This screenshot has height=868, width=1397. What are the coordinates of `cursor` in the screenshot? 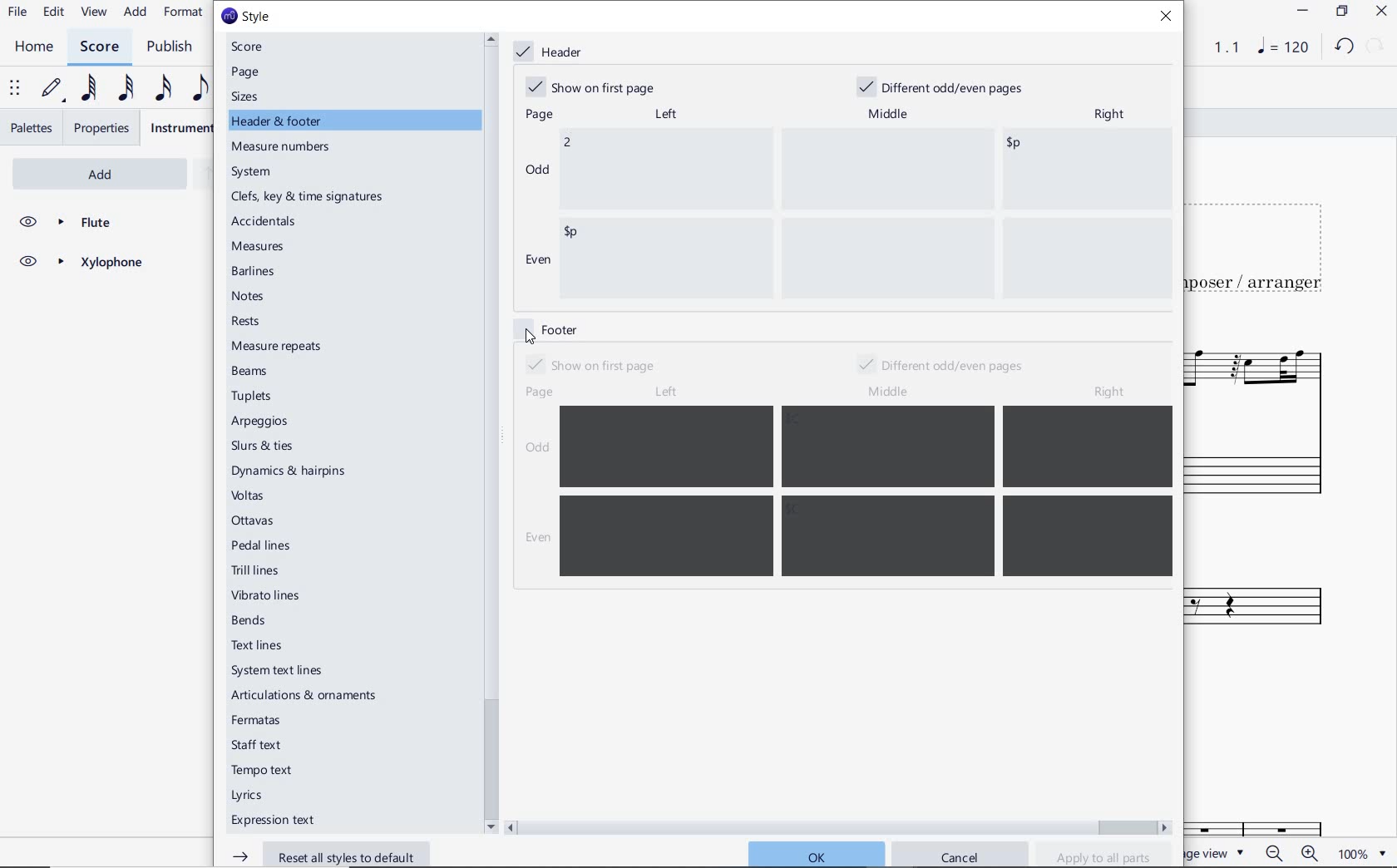 It's located at (527, 338).